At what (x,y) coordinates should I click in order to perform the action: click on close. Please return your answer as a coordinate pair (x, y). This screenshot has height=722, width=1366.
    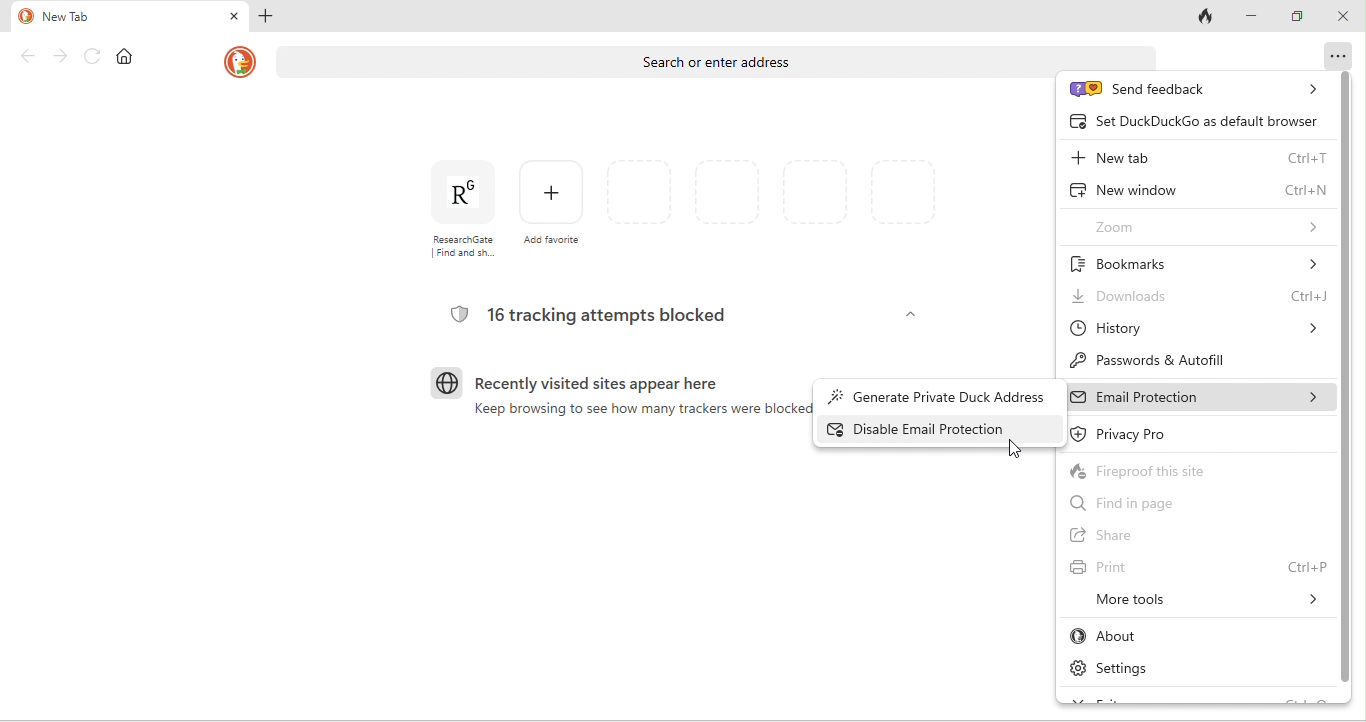
    Looking at the image, I should click on (1346, 19).